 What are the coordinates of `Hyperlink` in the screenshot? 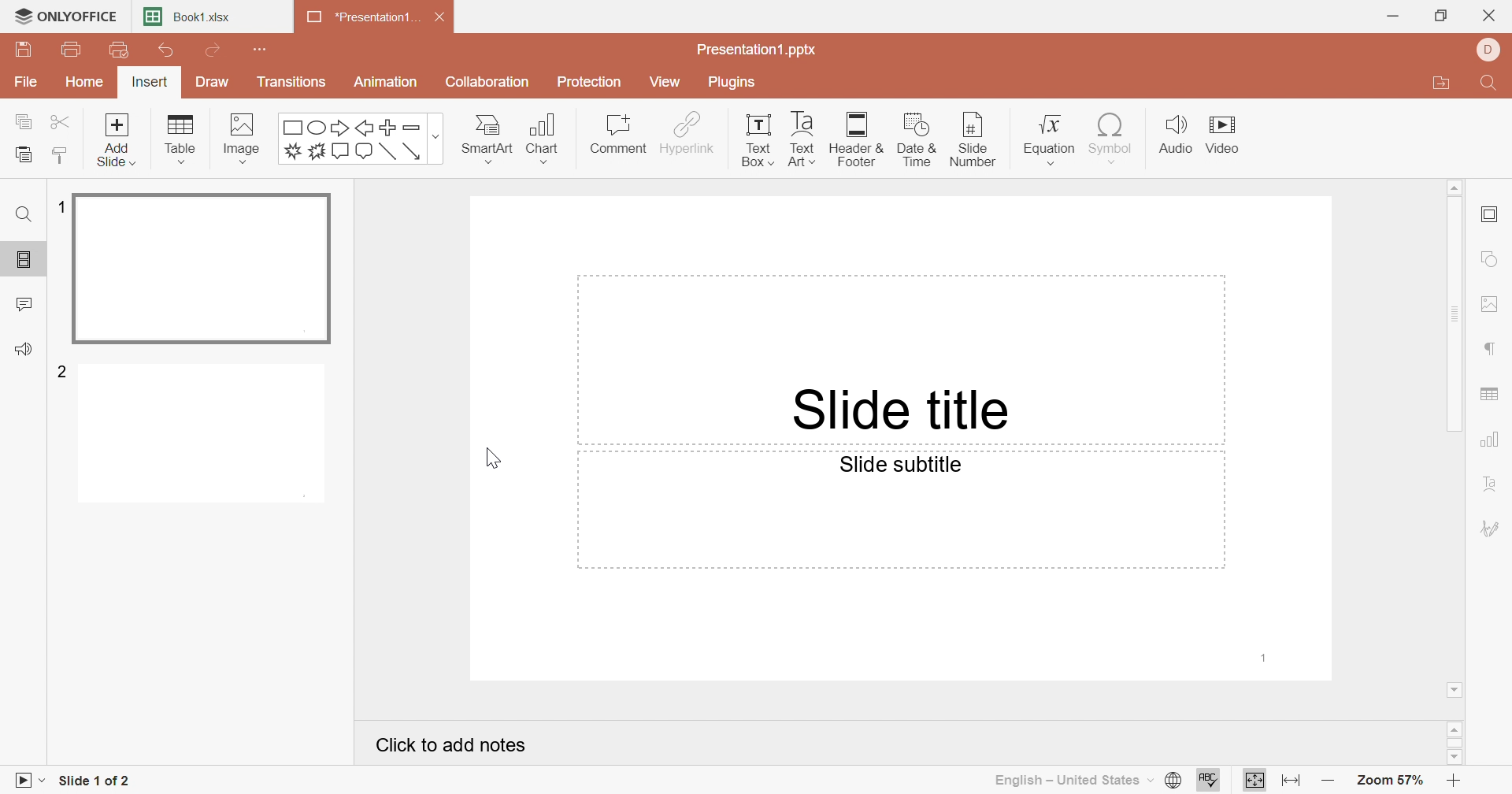 It's located at (687, 133).